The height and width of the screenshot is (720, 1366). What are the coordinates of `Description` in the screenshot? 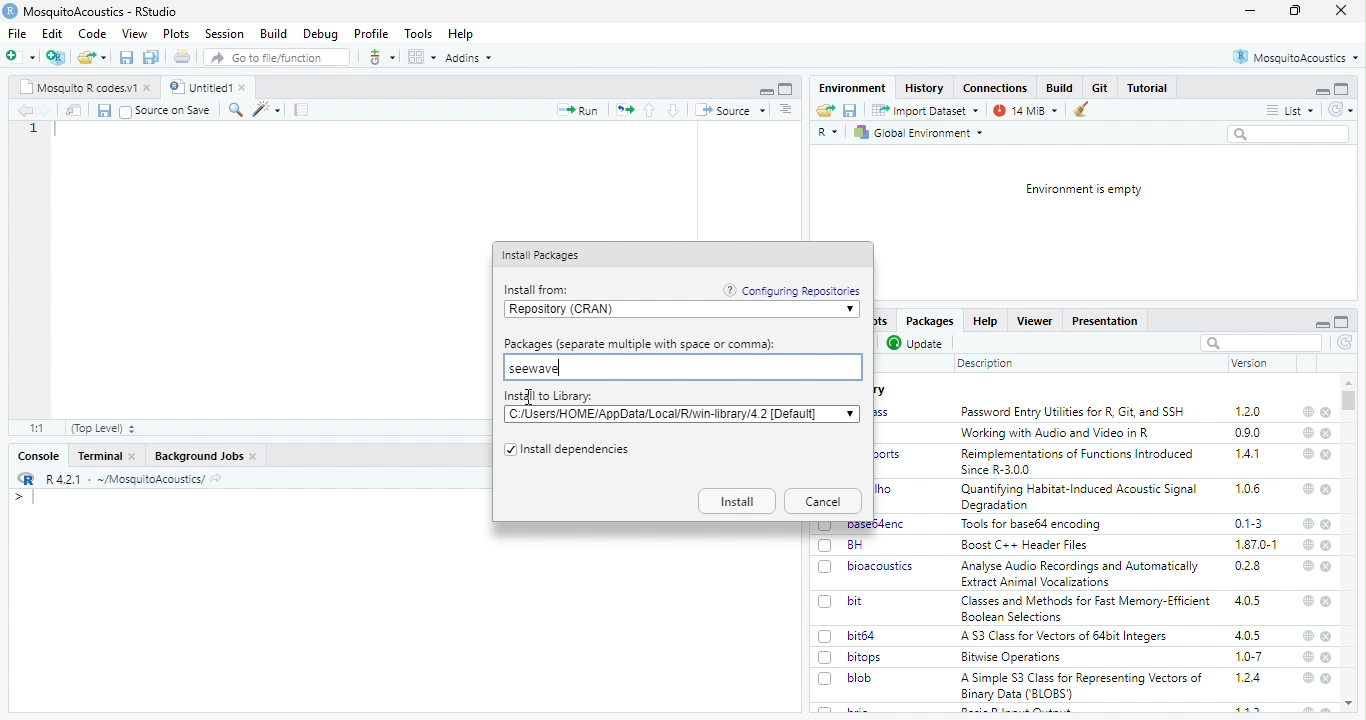 It's located at (986, 365).